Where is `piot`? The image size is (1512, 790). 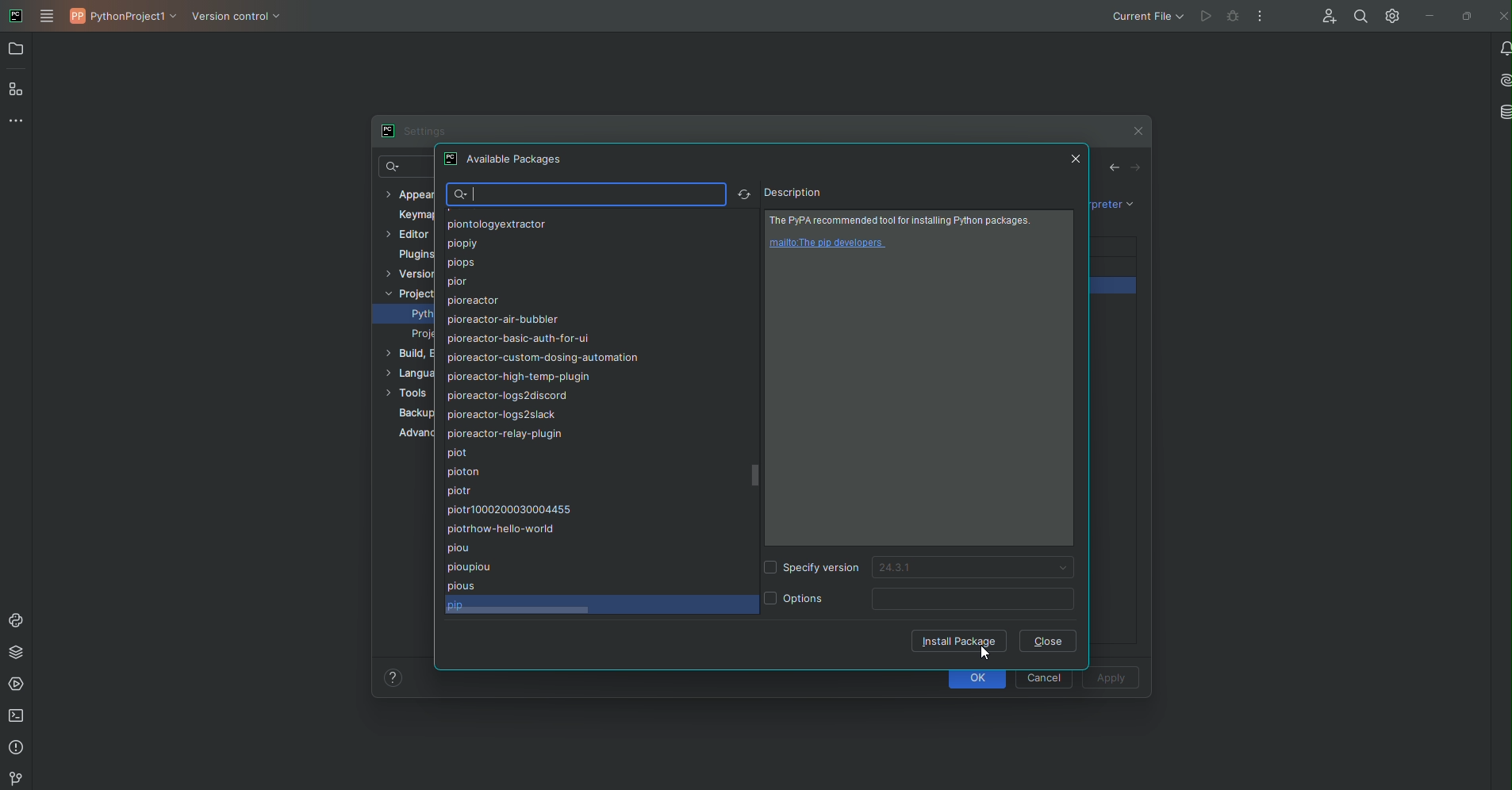 piot is located at coordinates (462, 453).